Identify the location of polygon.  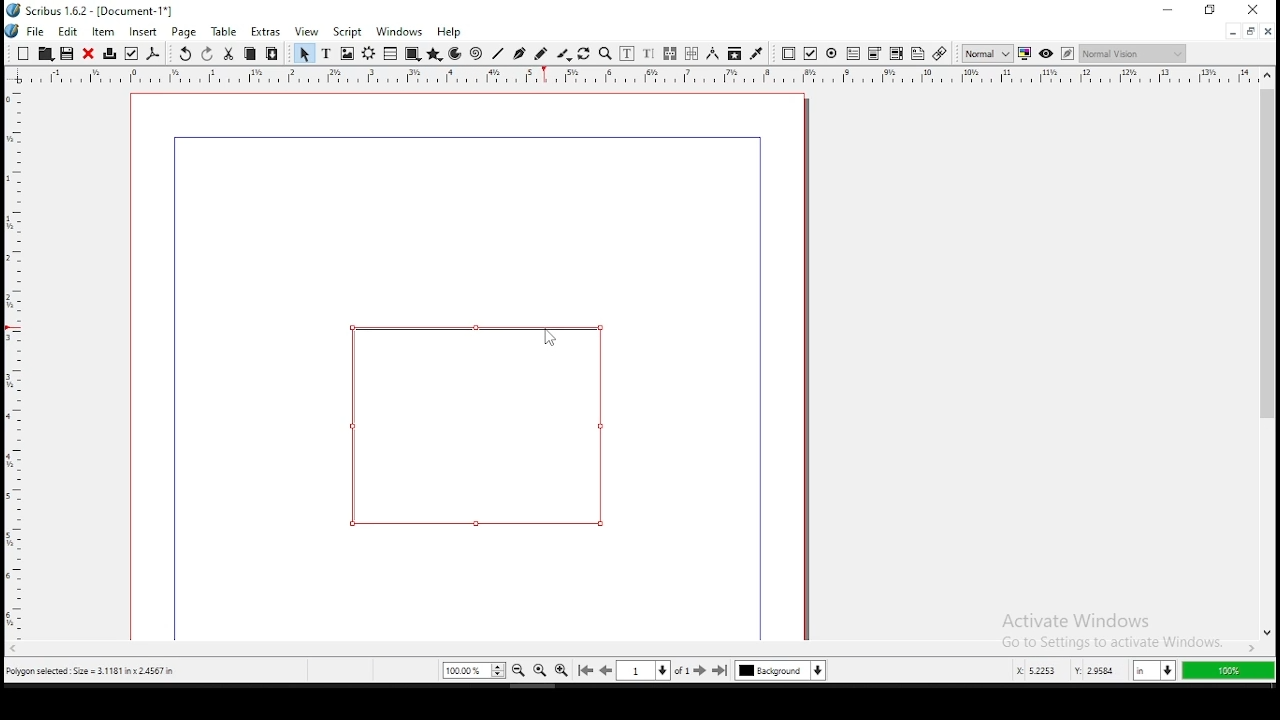
(435, 54).